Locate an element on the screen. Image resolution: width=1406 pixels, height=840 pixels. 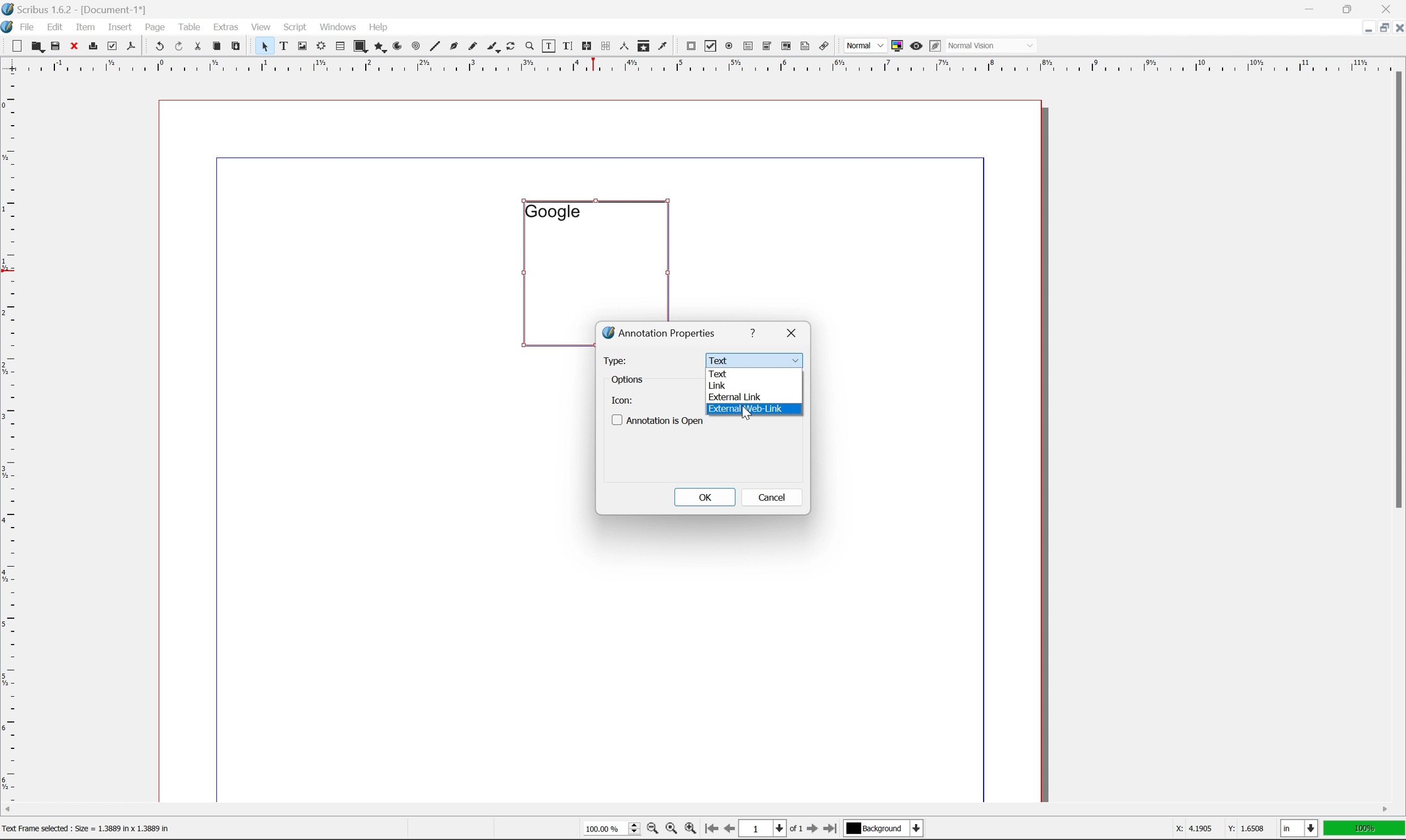
OK is located at coordinates (704, 499).